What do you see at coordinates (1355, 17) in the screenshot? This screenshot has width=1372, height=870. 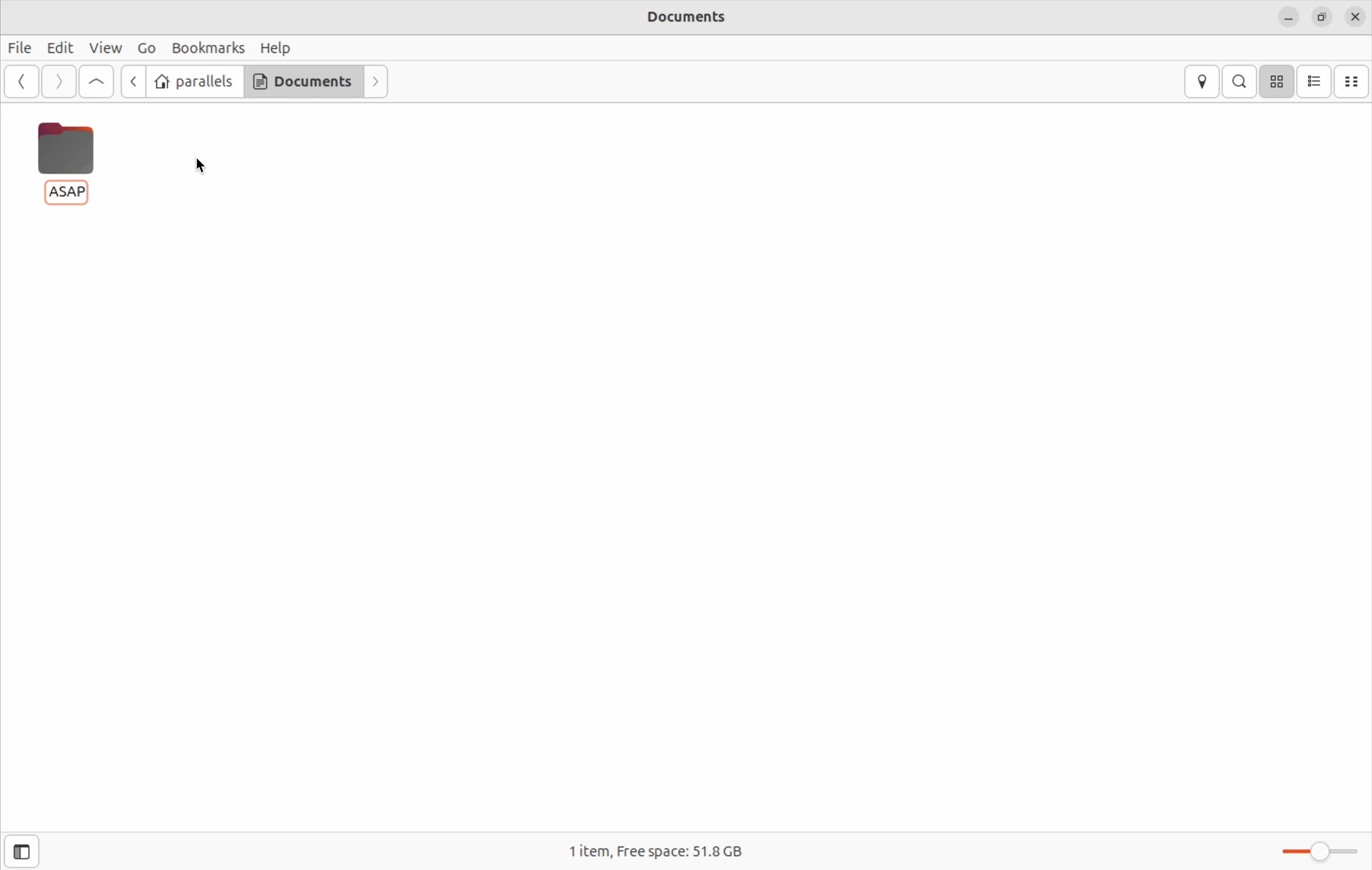 I see `close` at bounding box center [1355, 17].